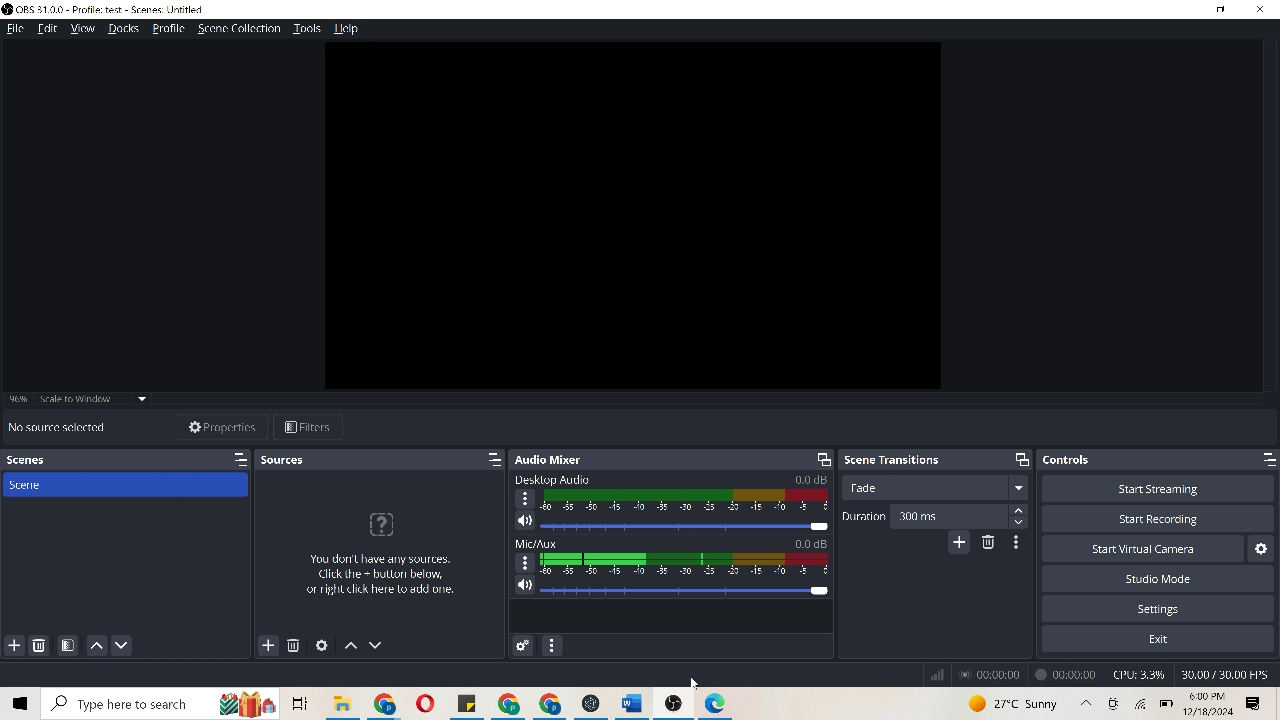 The height and width of the screenshot is (720, 1280). What do you see at coordinates (1255, 703) in the screenshot?
I see `options` at bounding box center [1255, 703].